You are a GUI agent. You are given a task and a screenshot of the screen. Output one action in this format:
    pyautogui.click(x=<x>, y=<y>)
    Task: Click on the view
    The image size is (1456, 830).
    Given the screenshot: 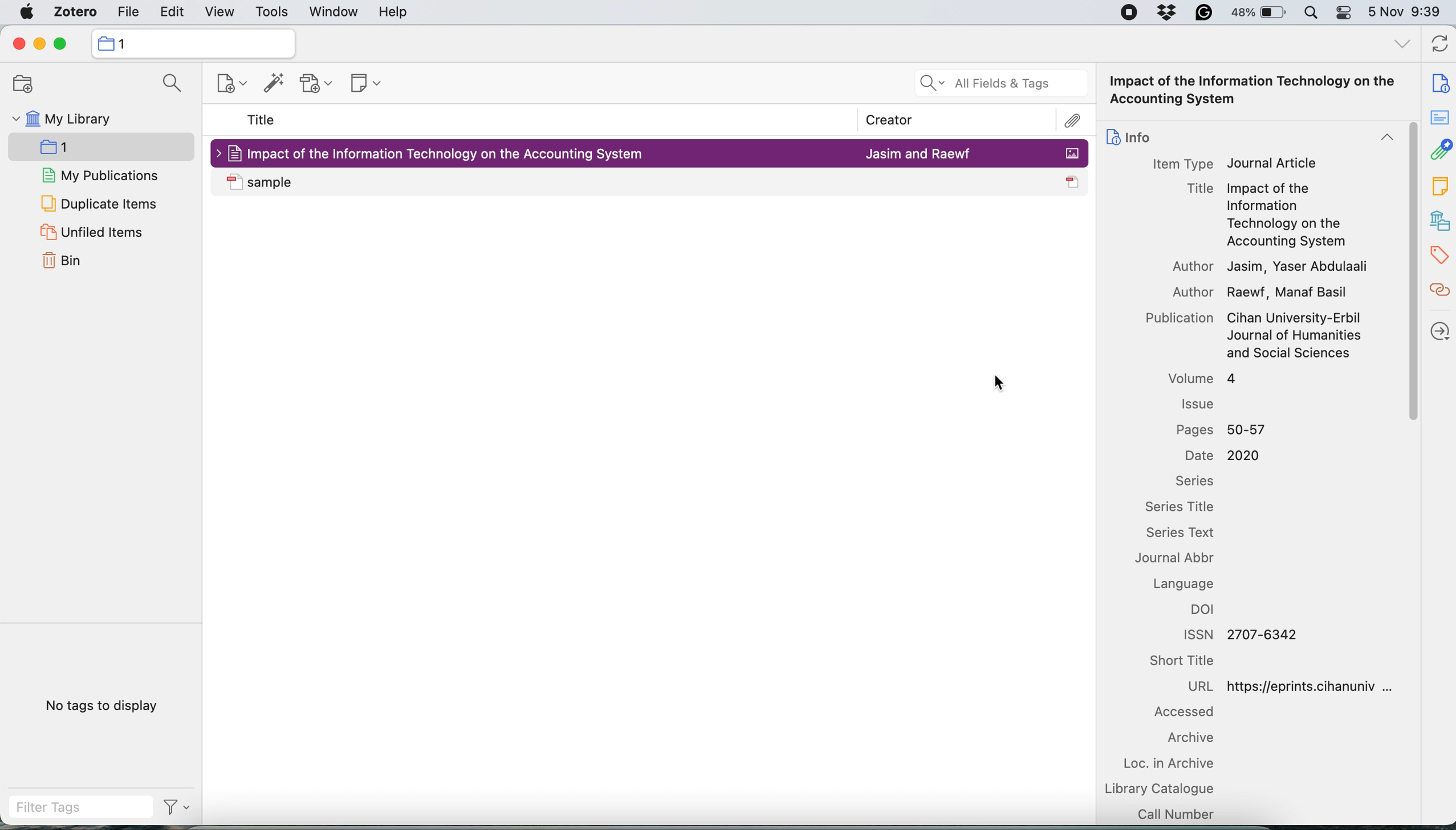 What is the action you would take?
    pyautogui.click(x=221, y=13)
    